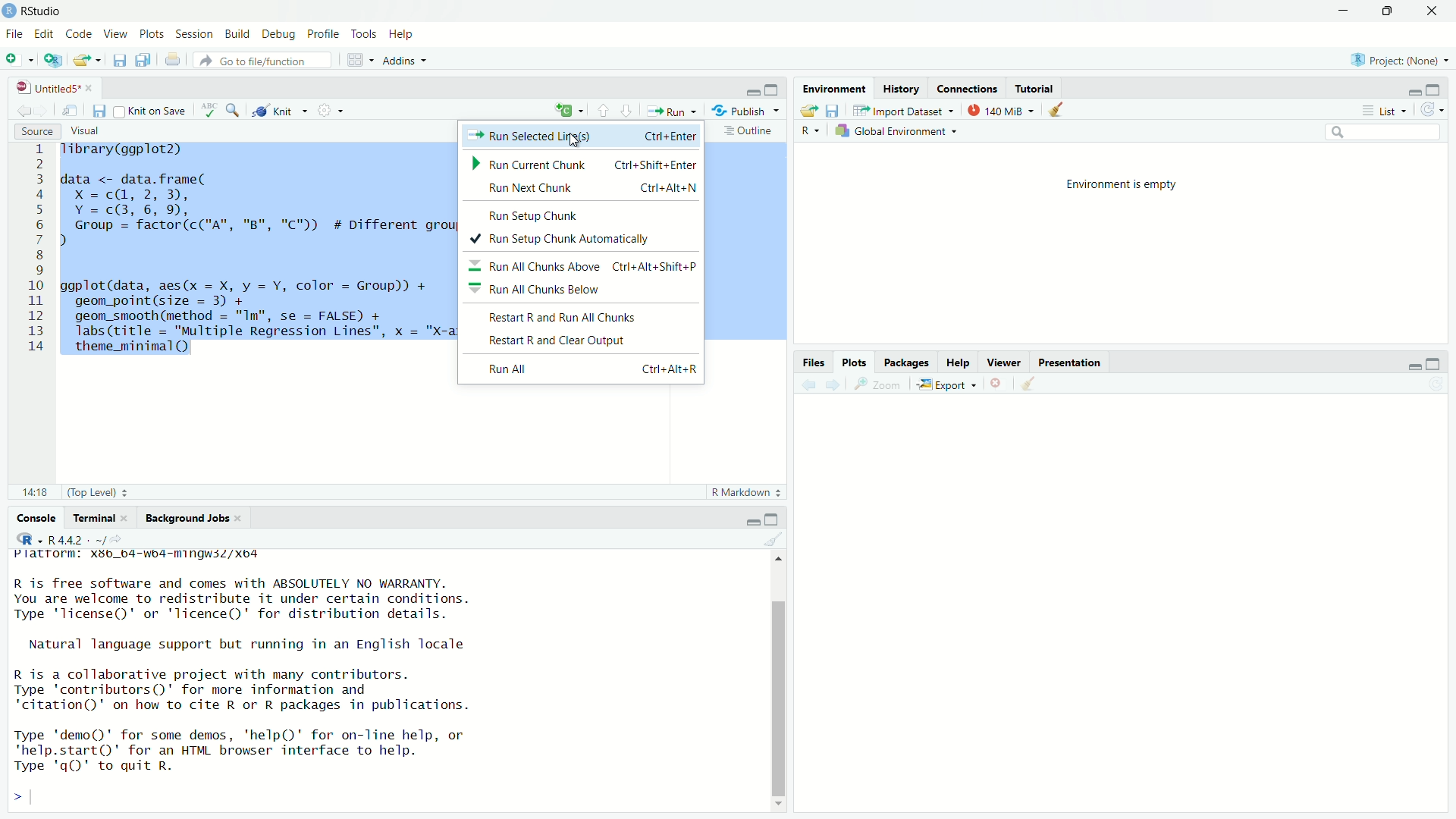  Describe the element at coordinates (601, 109) in the screenshot. I see `upward` at that location.